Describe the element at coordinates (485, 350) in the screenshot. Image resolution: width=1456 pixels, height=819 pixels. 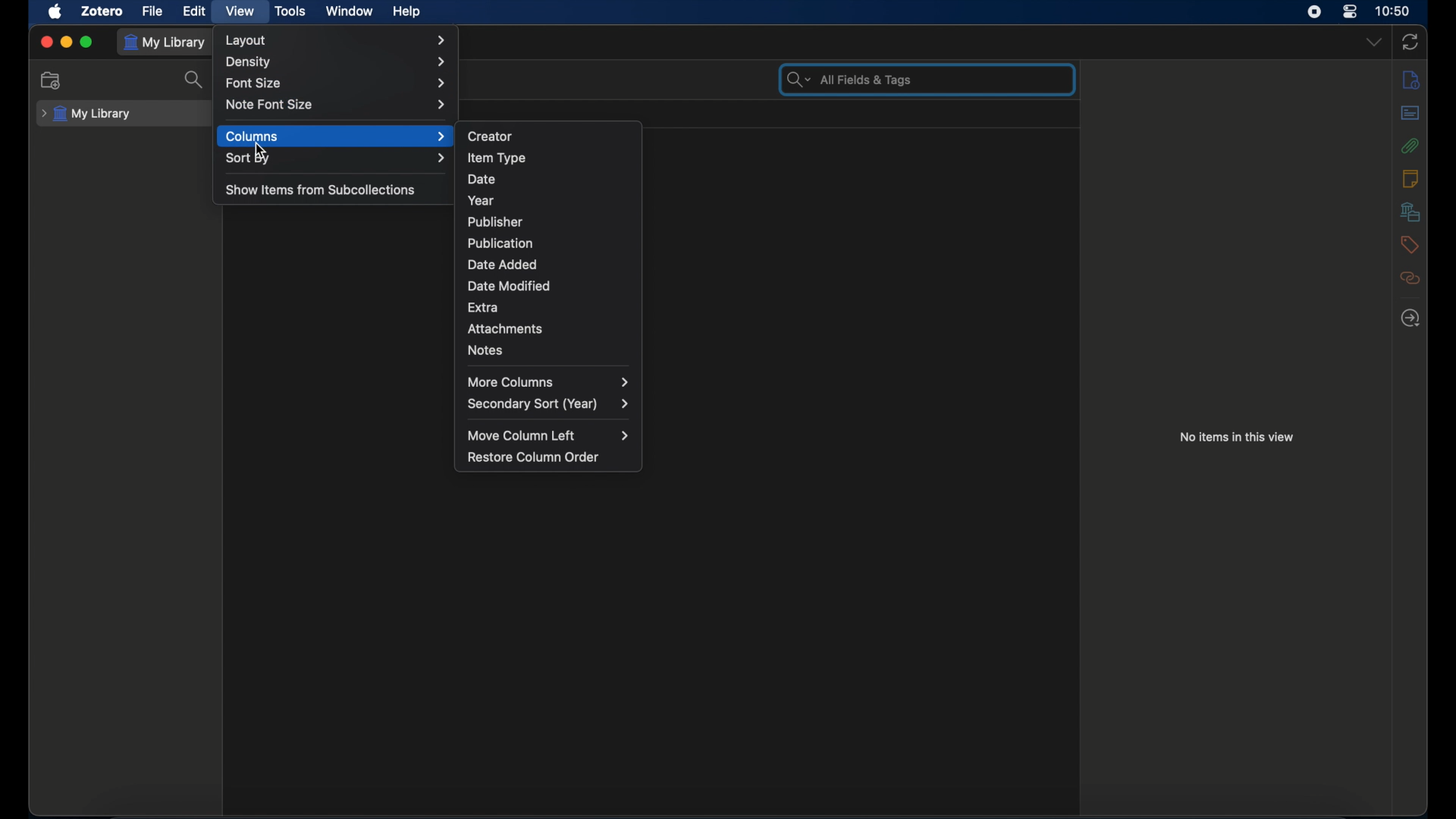
I see `notes` at that location.